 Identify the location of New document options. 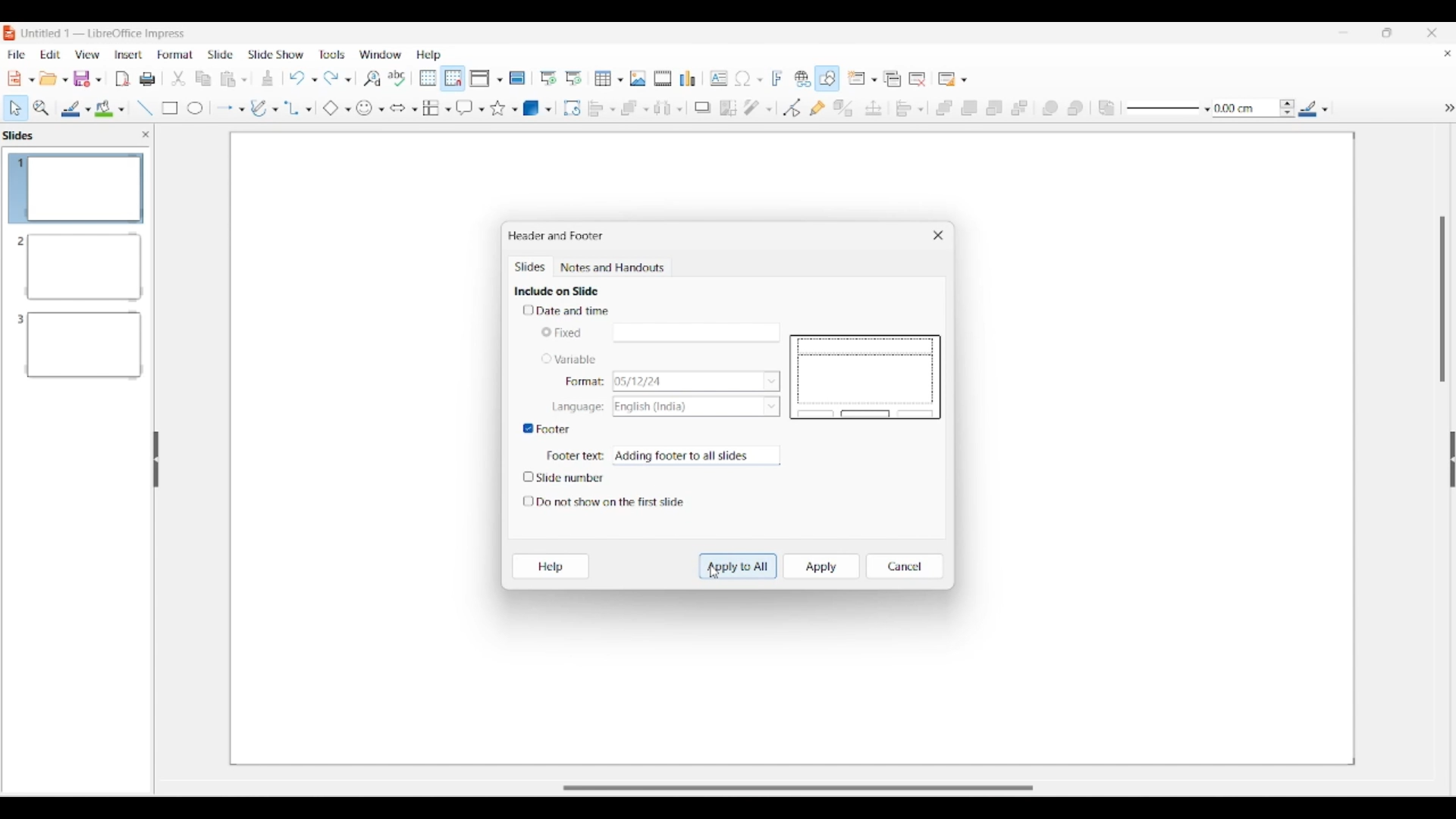
(21, 79).